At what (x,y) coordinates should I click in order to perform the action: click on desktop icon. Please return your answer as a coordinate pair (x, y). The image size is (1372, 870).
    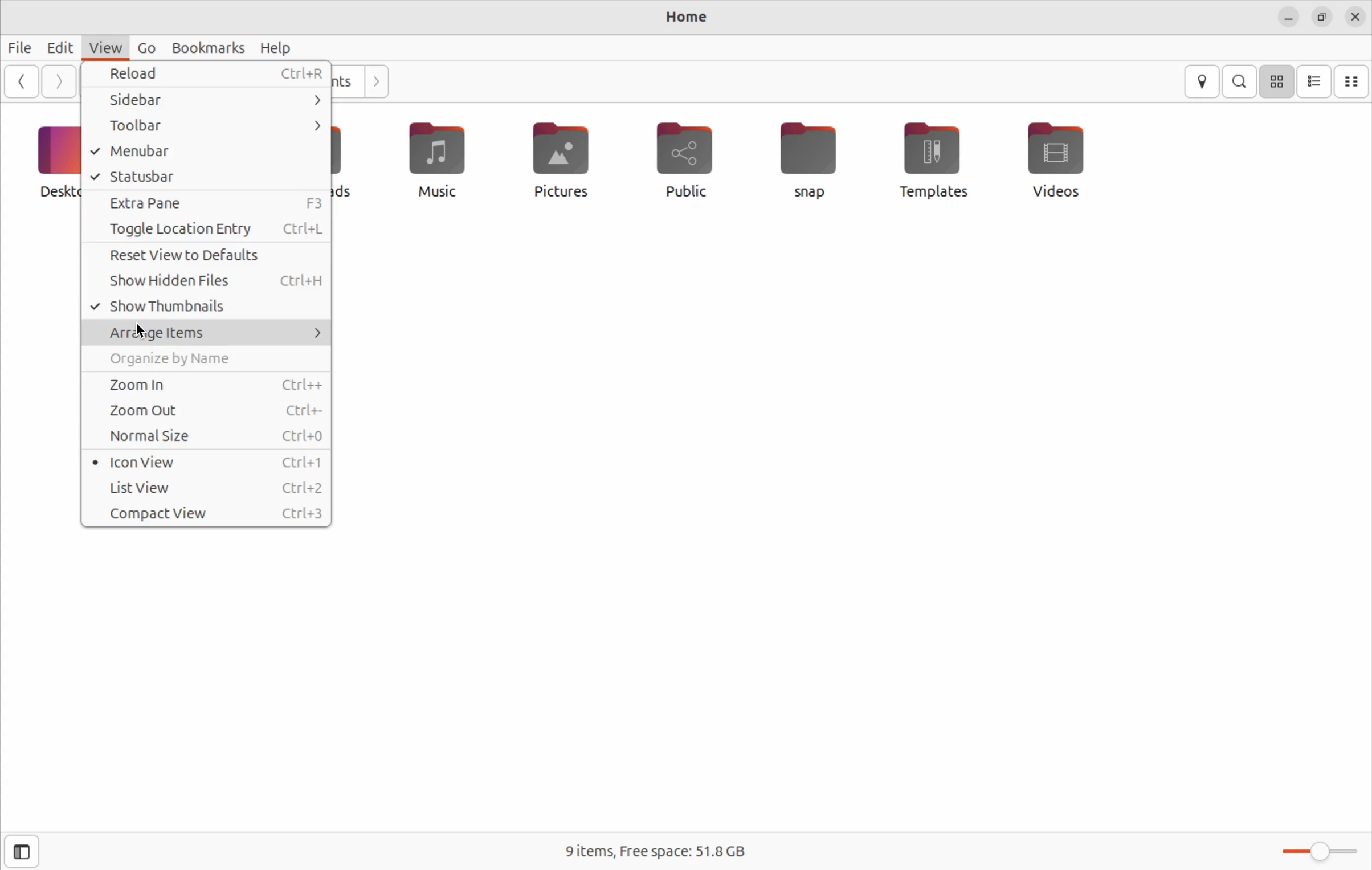
    Looking at the image, I should click on (43, 163).